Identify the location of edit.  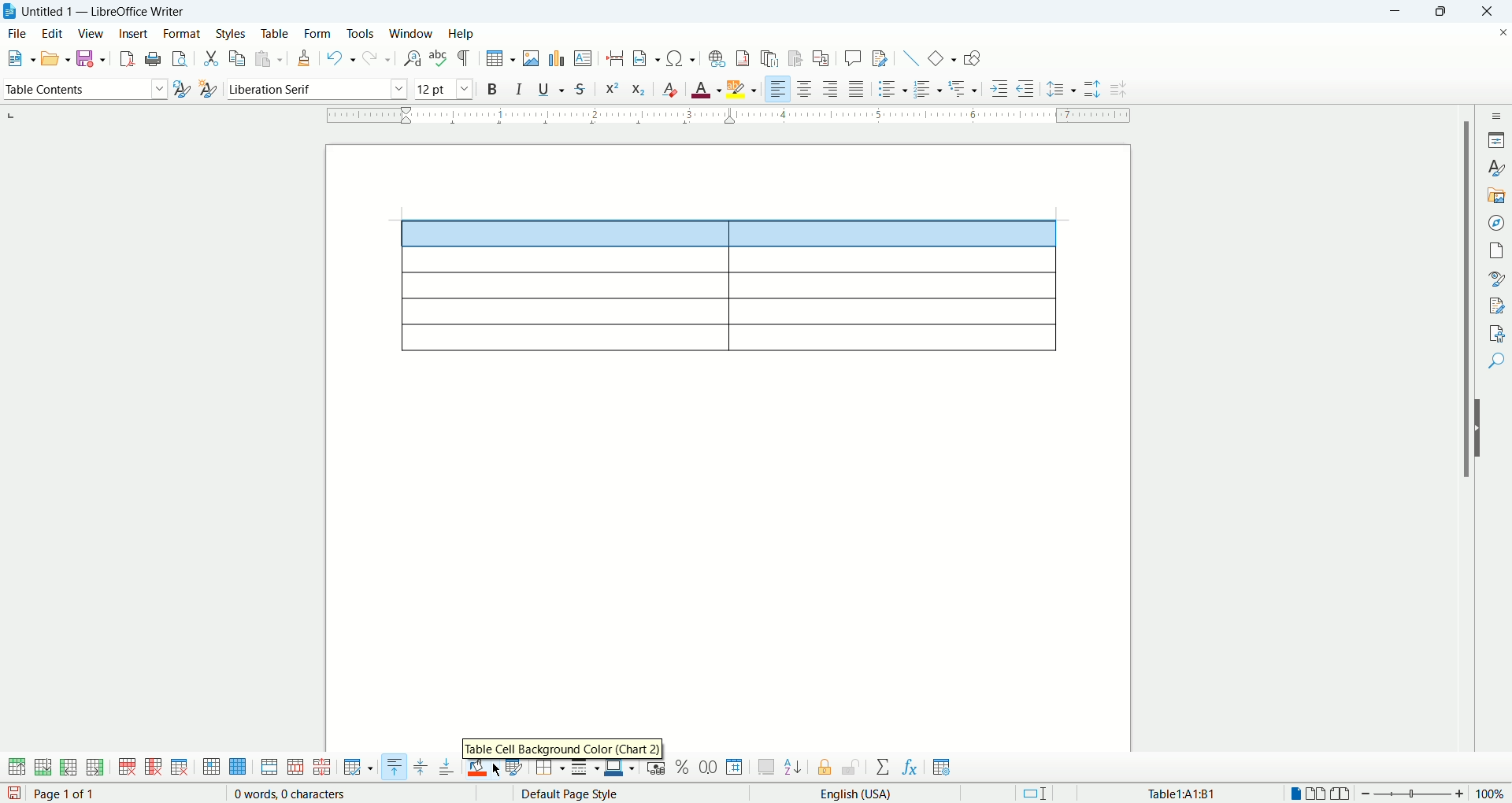
(51, 33).